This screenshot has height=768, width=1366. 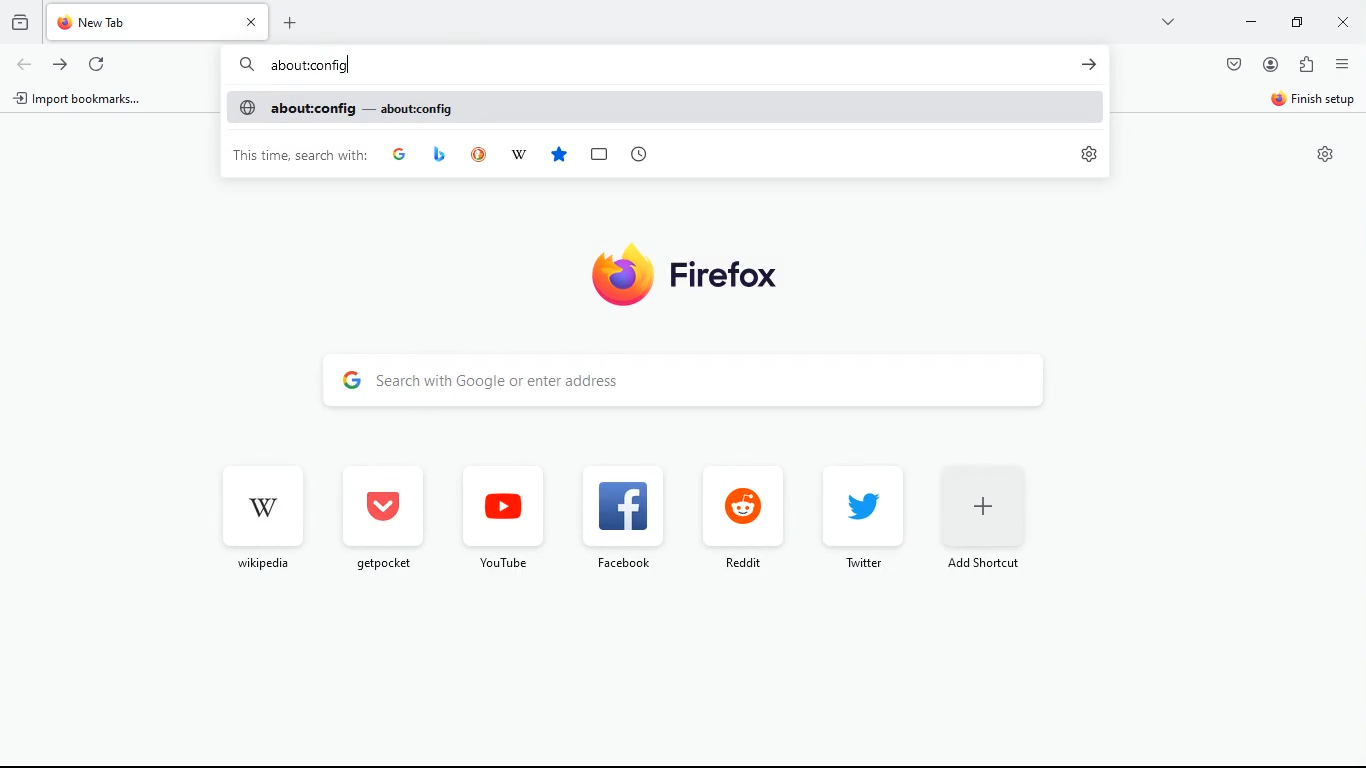 What do you see at coordinates (1293, 23) in the screenshot?
I see `maximize` at bounding box center [1293, 23].